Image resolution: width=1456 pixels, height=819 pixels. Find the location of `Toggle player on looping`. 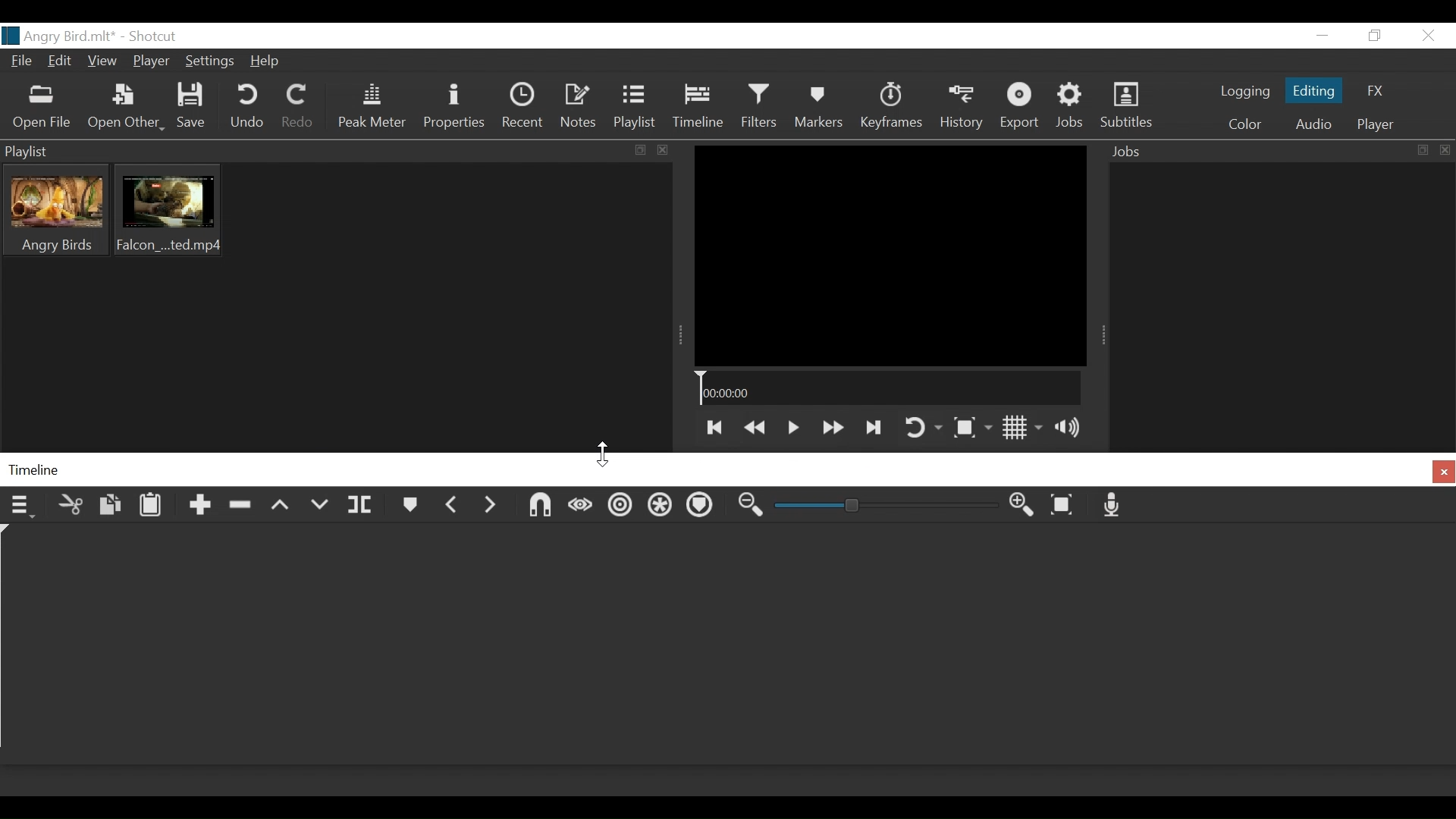

Toggle player on looping is located at coordinates (923, 427).